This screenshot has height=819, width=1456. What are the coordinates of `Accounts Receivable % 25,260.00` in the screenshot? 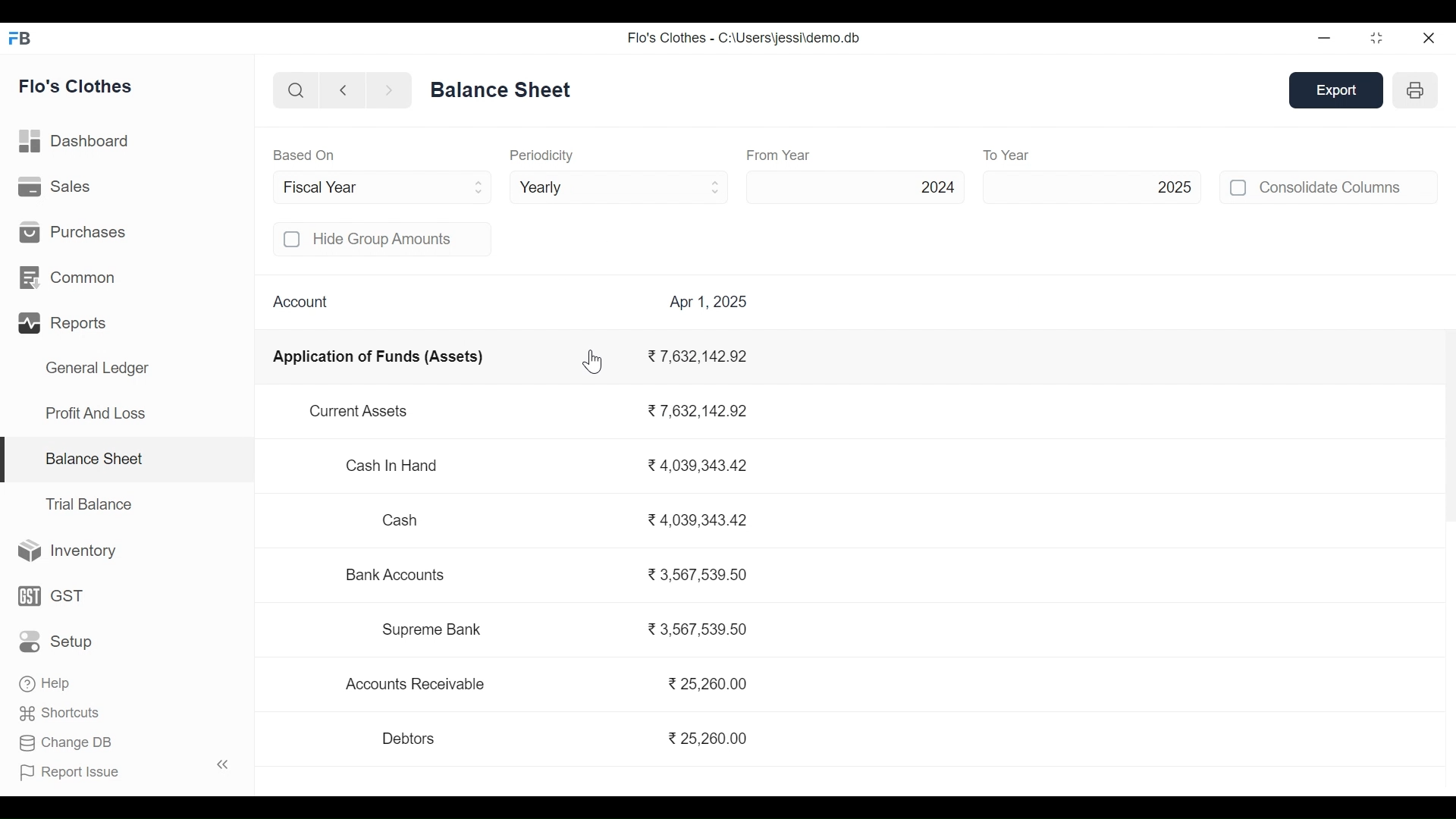 It's located at (549, 685).